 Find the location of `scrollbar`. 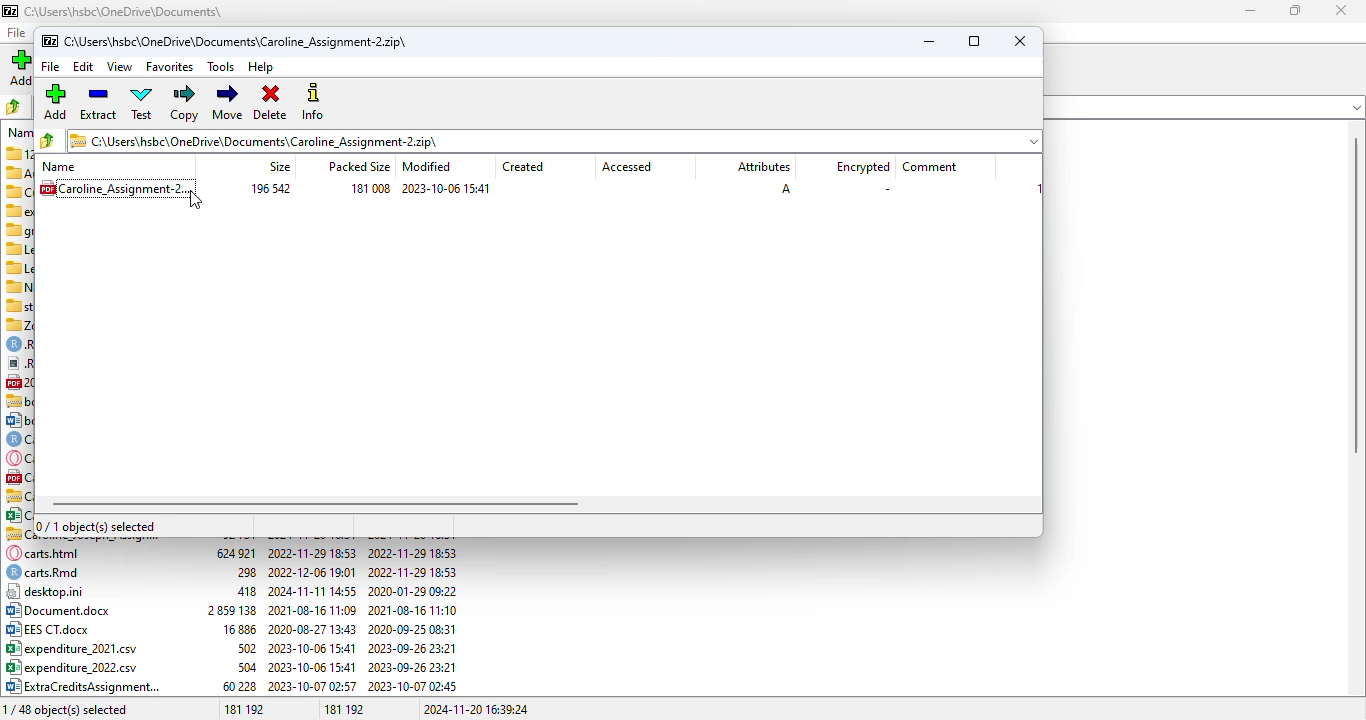

scrollbar is located at coordinates (1356, 298).